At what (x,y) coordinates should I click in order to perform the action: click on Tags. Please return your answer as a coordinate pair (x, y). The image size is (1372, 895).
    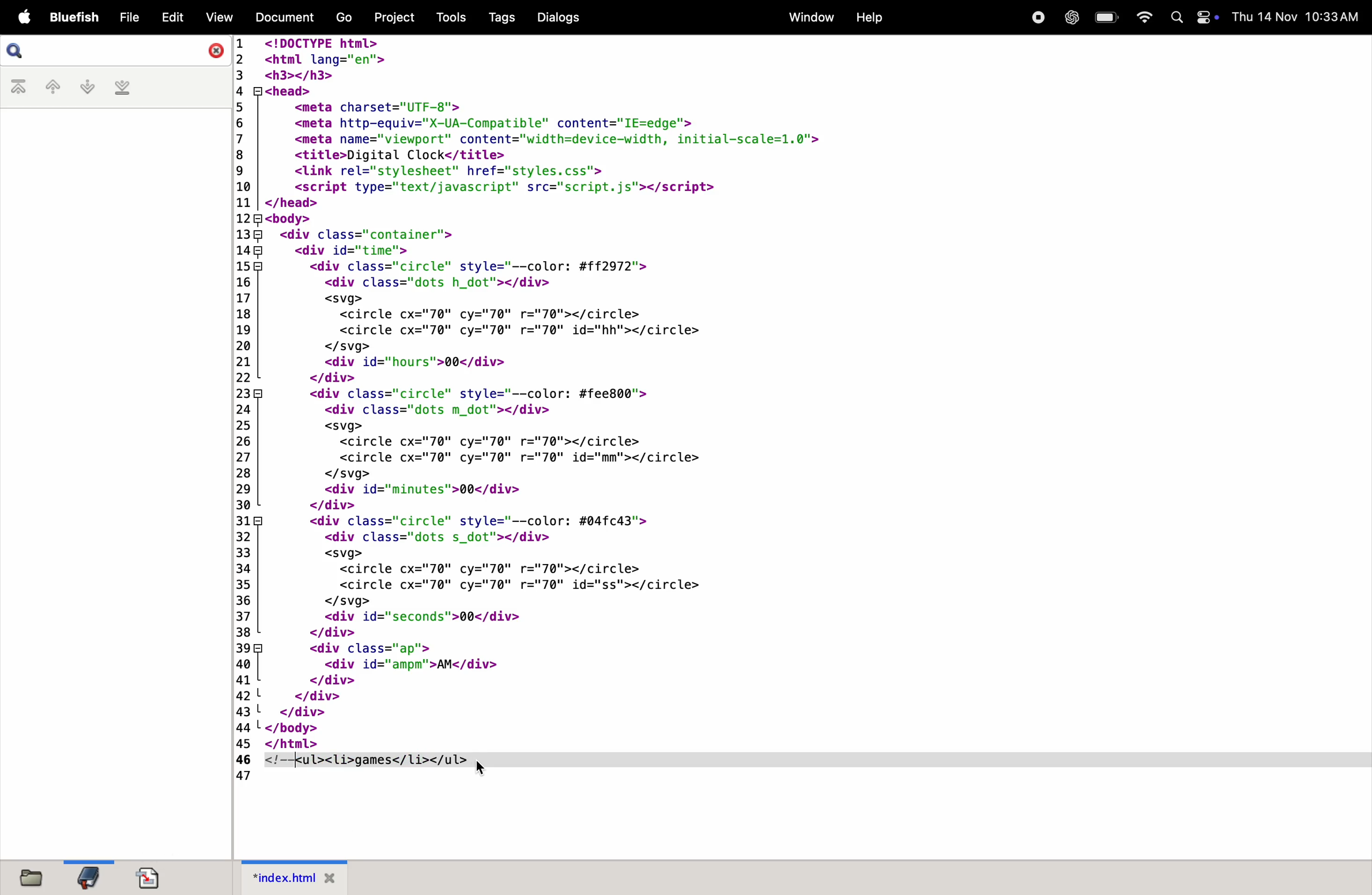
    Looking at the image, I should click on (499, 18).